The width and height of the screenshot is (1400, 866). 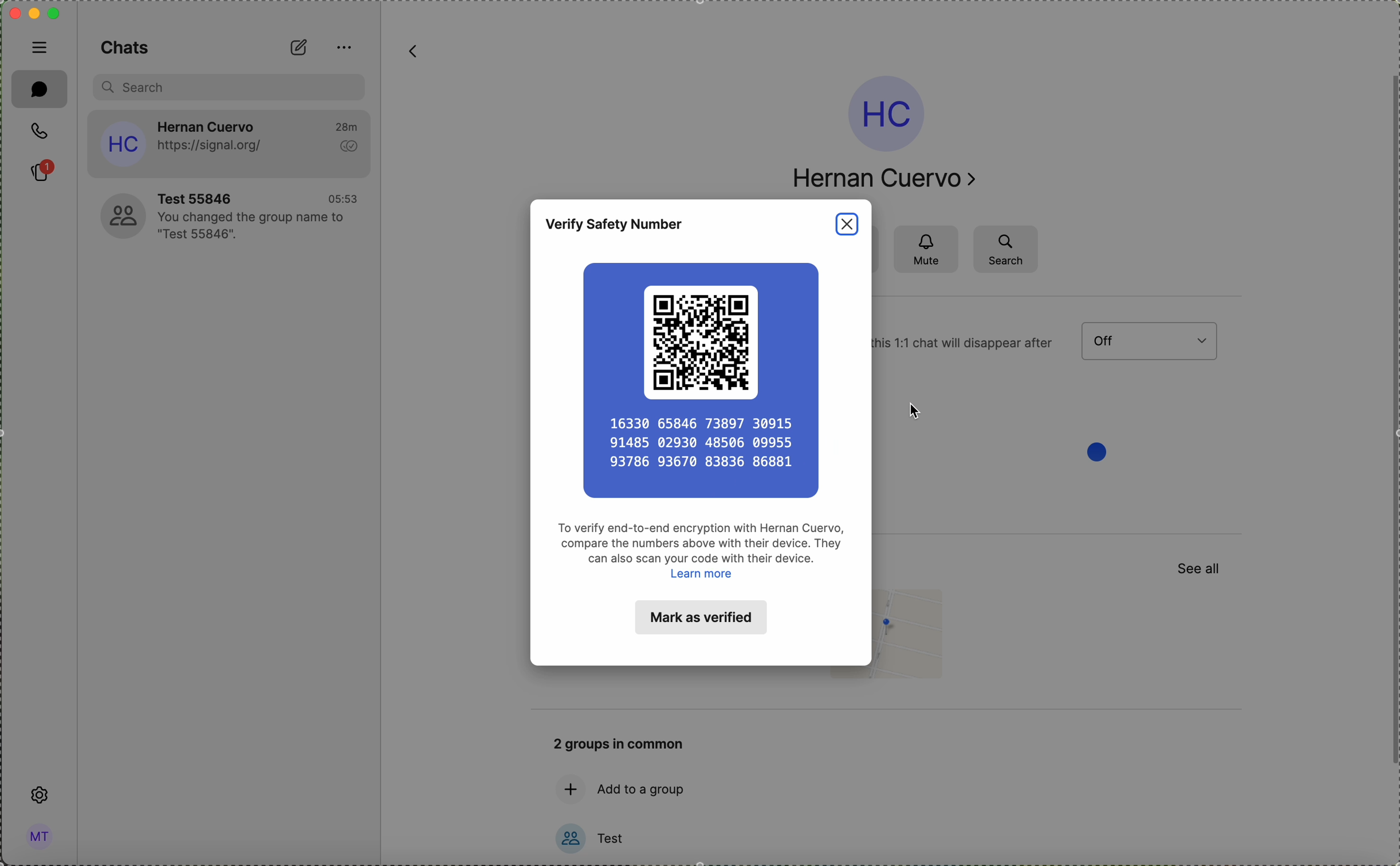 What do you see at coordinates (1391, 428) in the screenshot?
I see `scroll` at bounding box center [1391, 428].